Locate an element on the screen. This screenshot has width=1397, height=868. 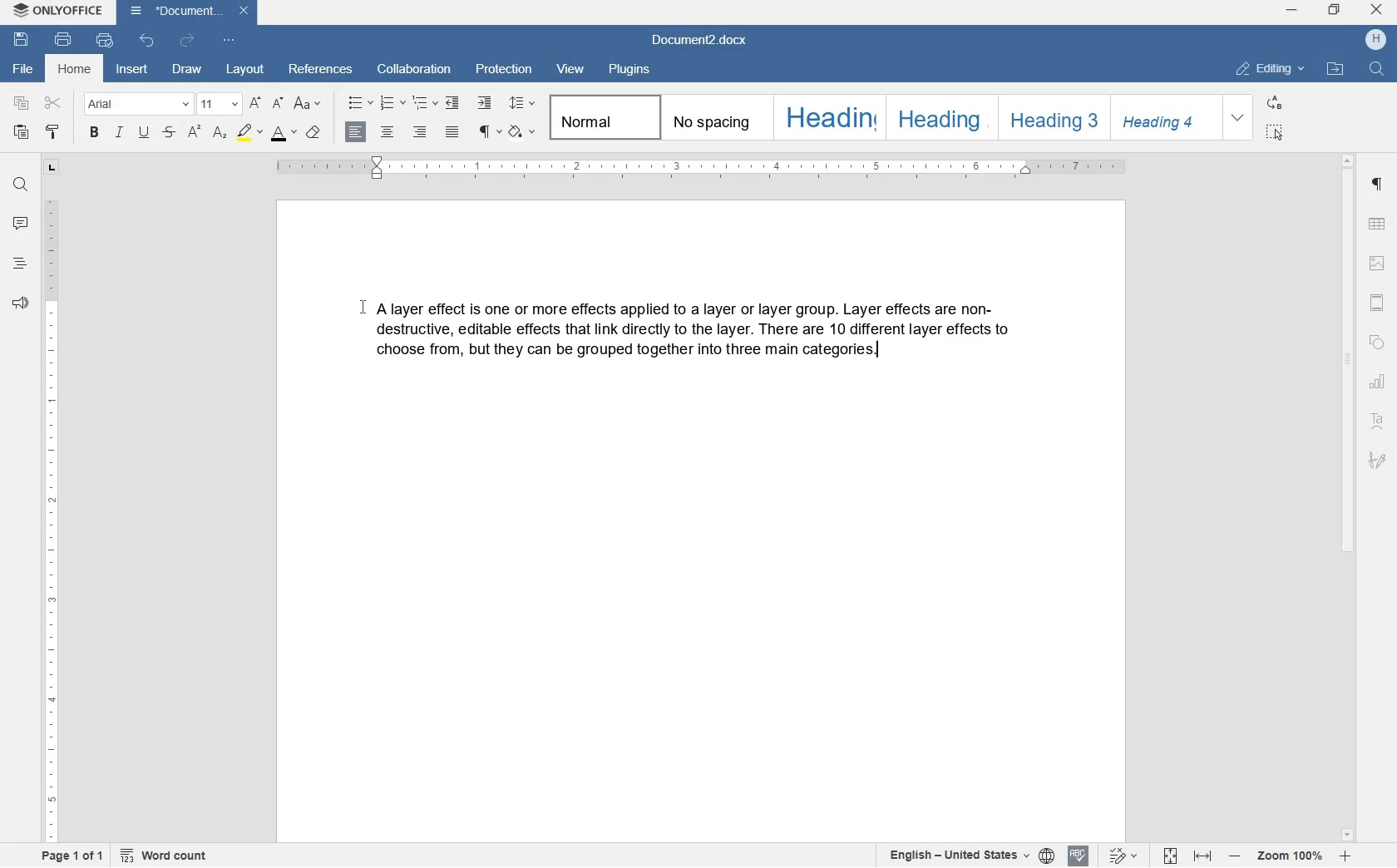
chart is located at coordinates (1379, 382).